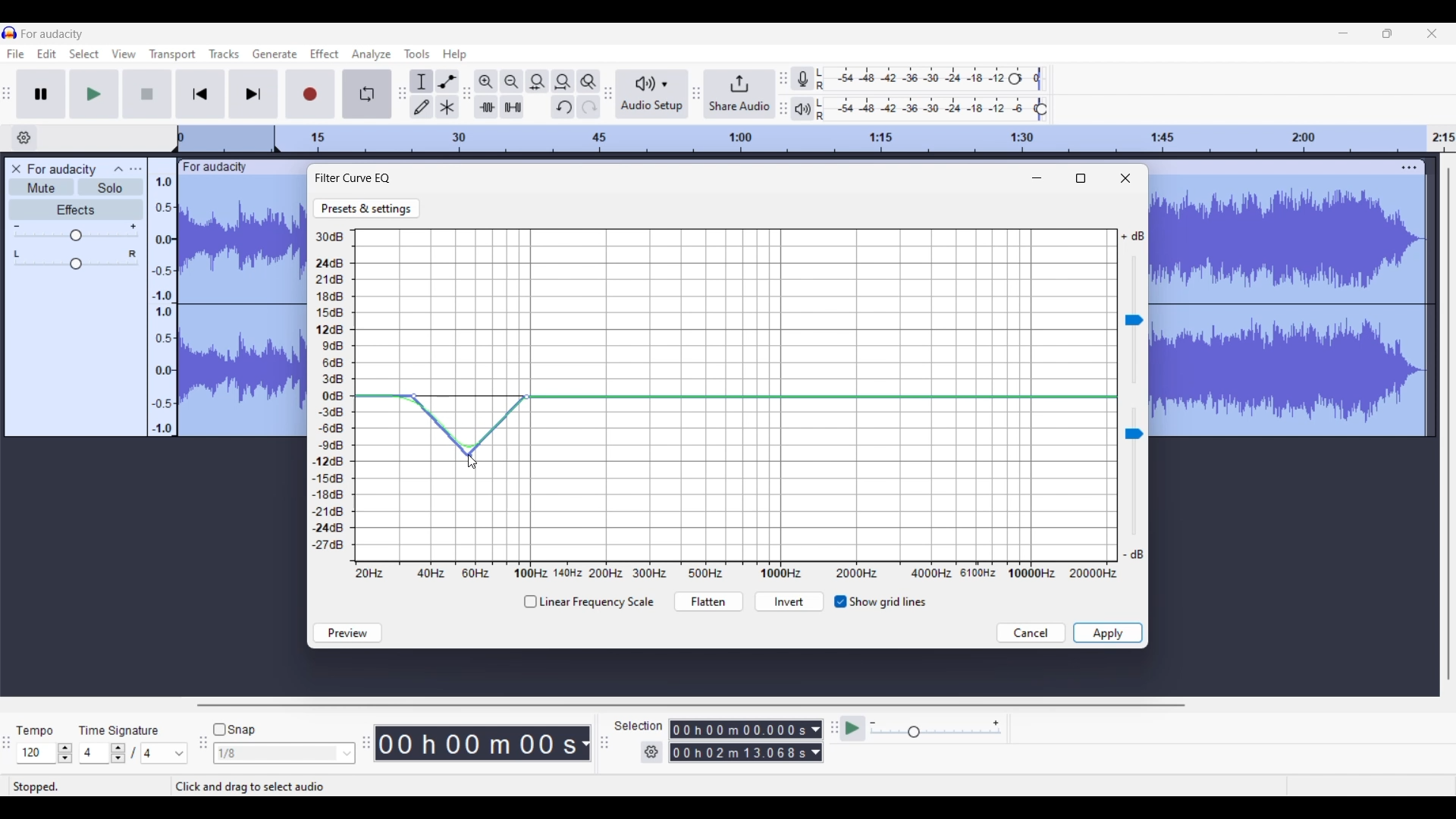 The height and width of the screenshot is (819, 1456). Describe the element at coordinates (736, 573) in the screenshot. I see `X axis representing Hertz` at that location.